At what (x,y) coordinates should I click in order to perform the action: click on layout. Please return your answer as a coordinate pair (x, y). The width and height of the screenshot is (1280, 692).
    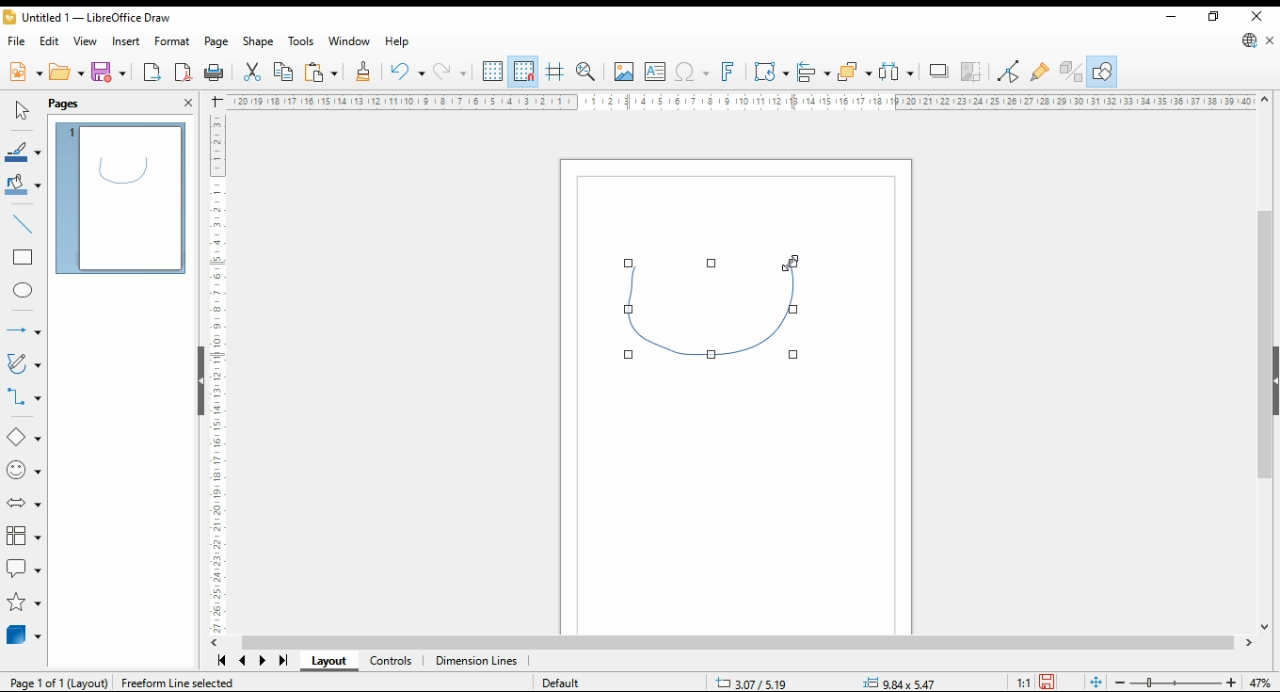
    Looking at the image, I should click on (328, 661).